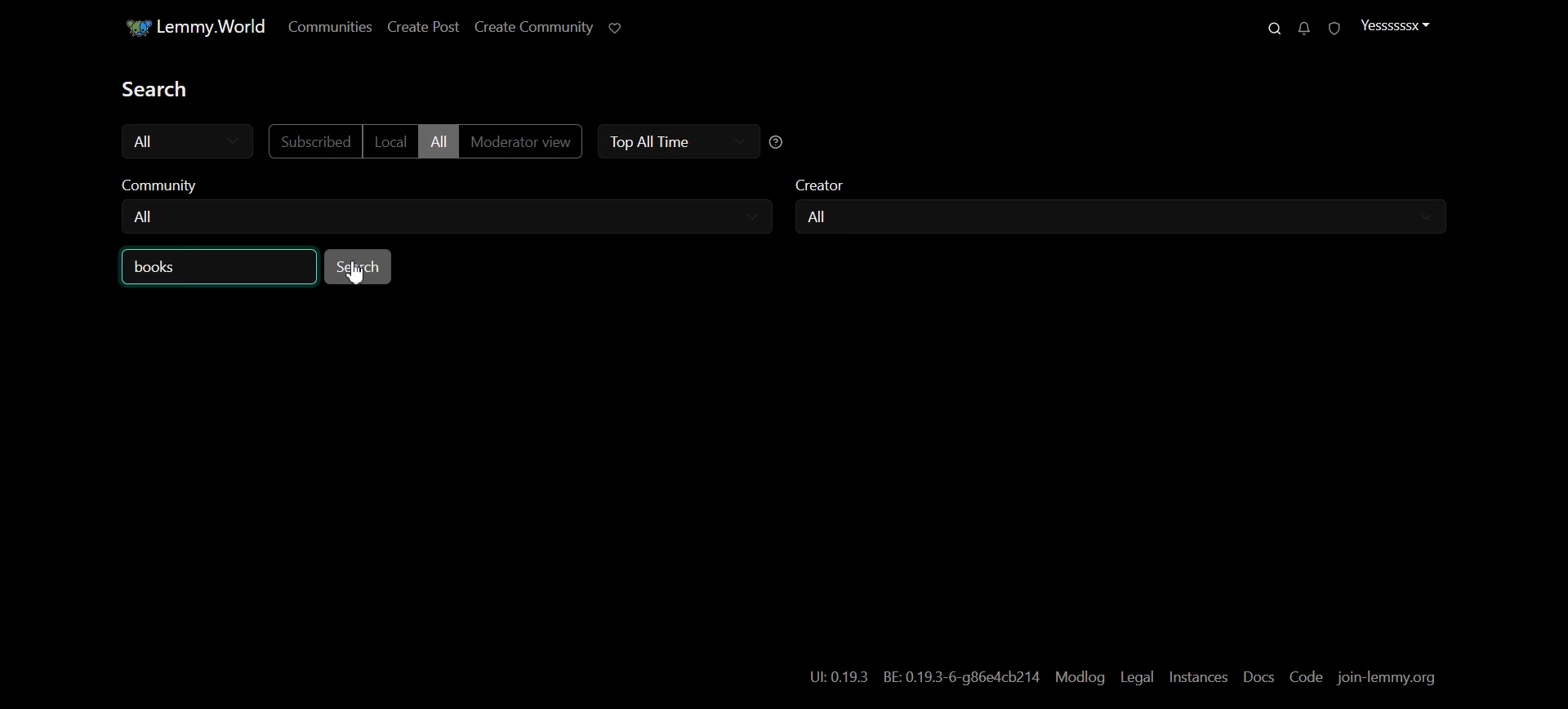 The image size is (1568, 709). What do you see at coordinates (1135, 677) in the screenshot?
I see `Legal` at bounding box center [1135, 677].